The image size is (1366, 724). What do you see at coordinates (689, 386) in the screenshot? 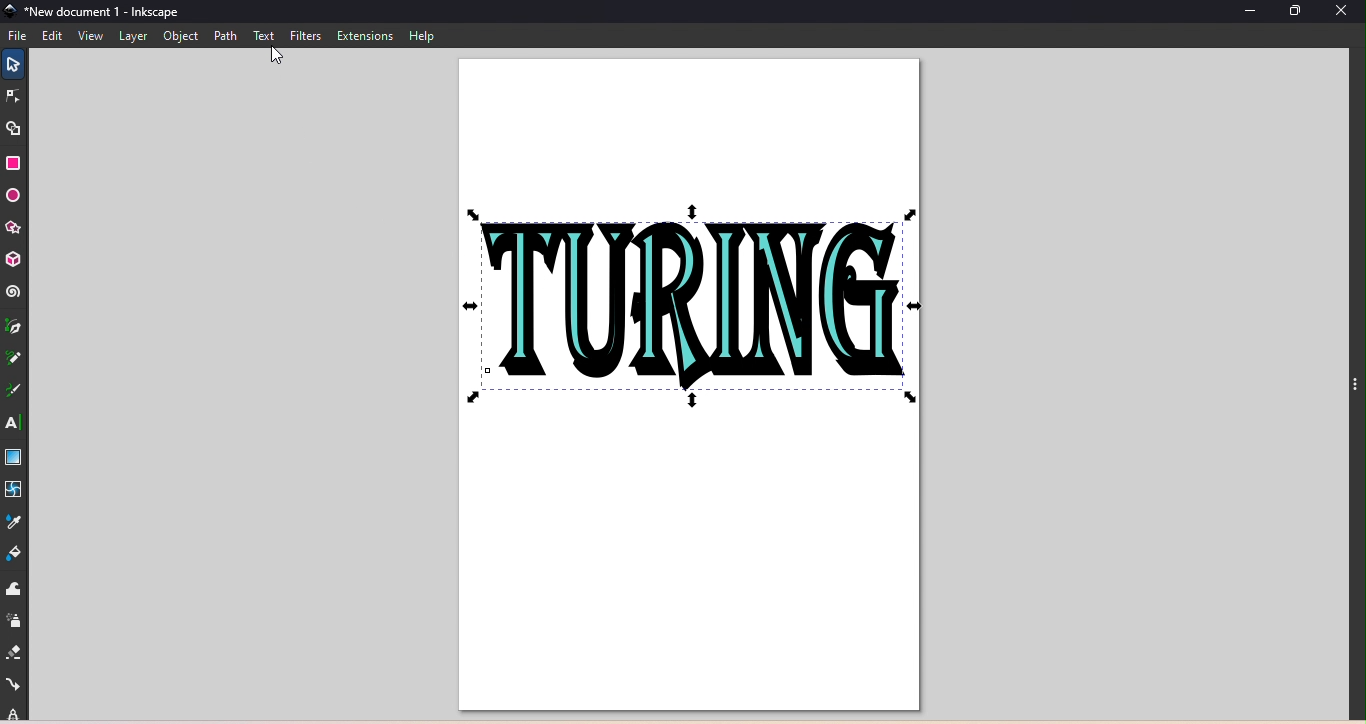
I see `Canvas` at bounding box center [689, 386].